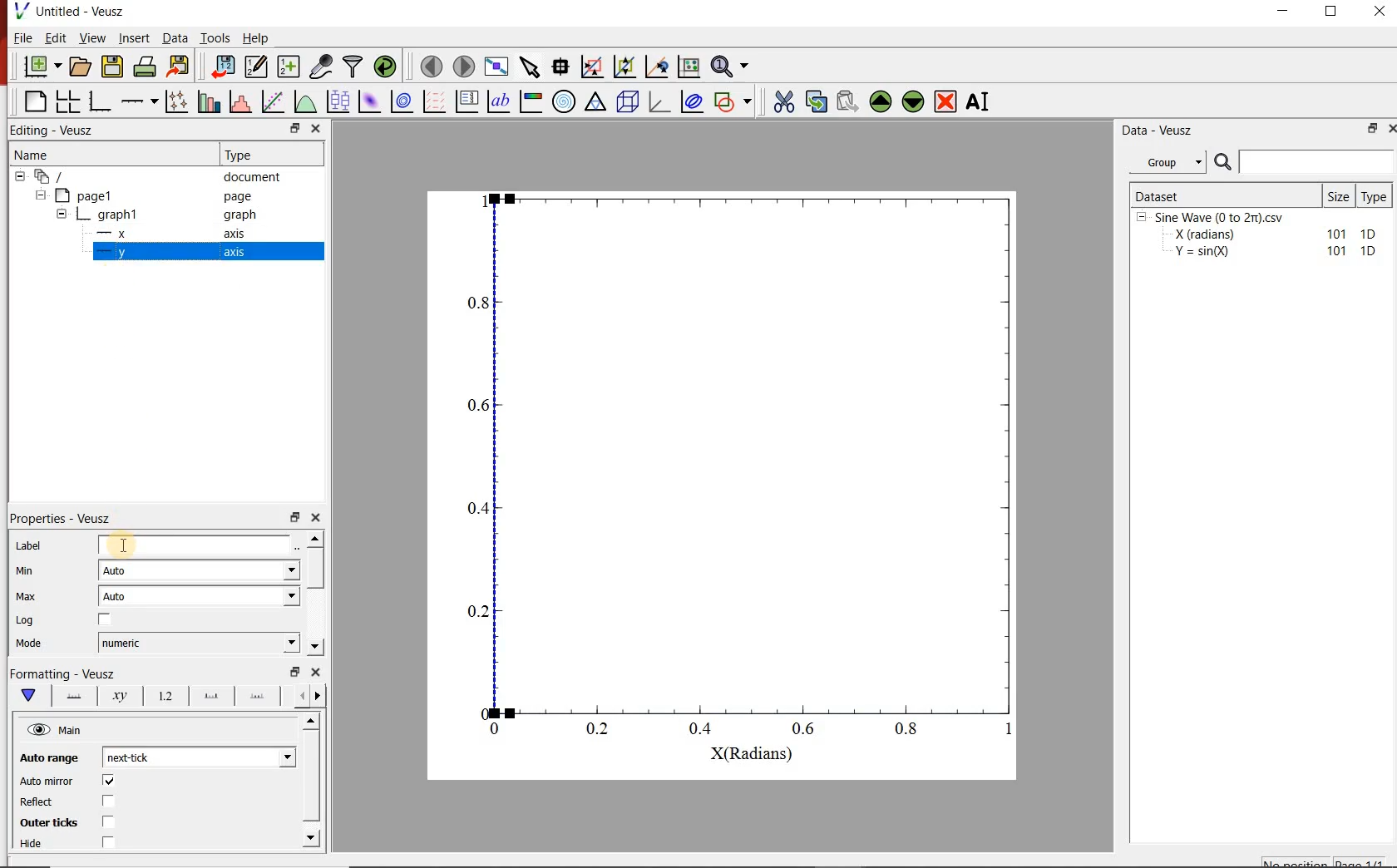 This screenshot has height=868, width=1397. I want to click on plot box plots, so click(339, 102).